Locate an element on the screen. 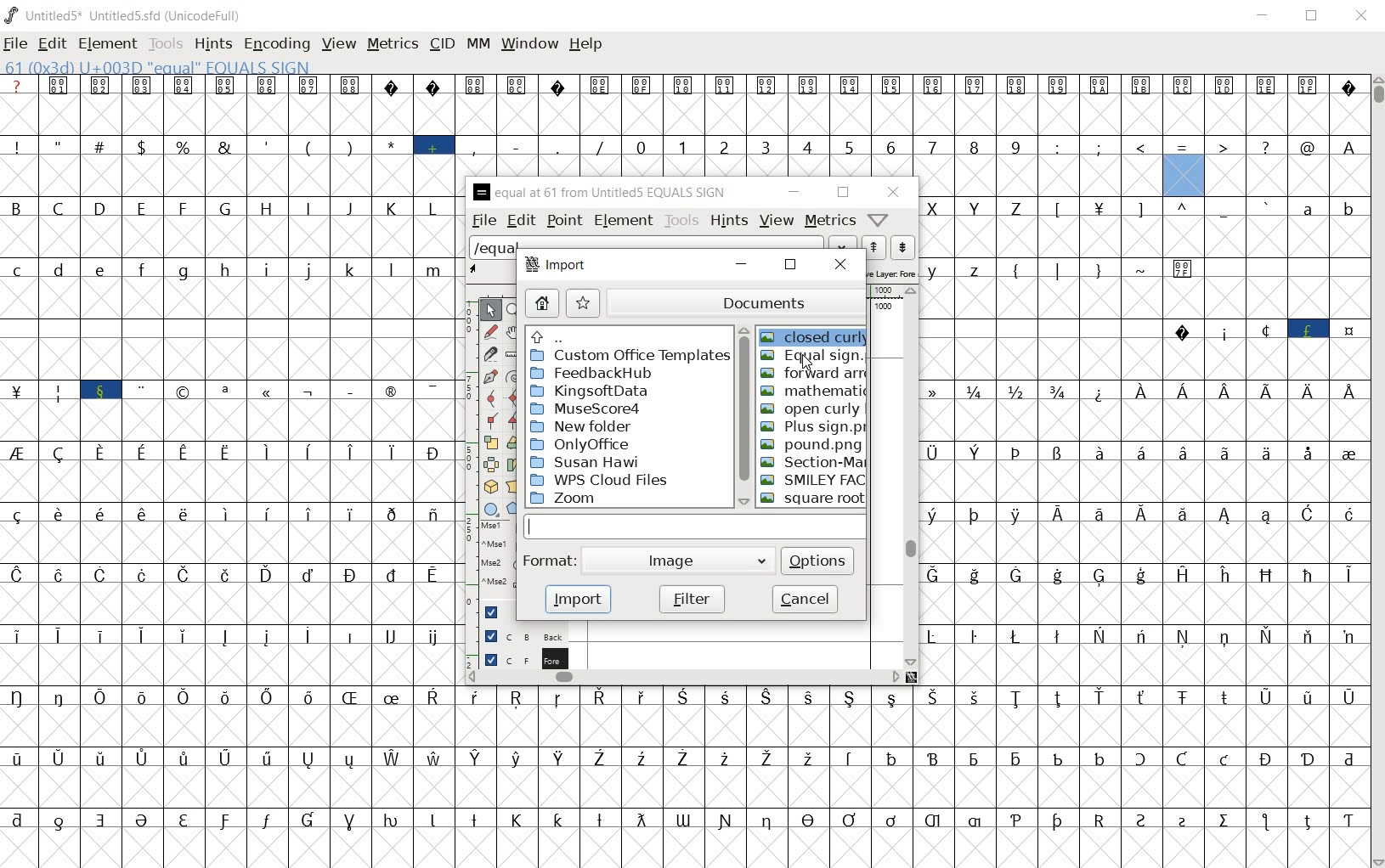 The height and width of the screenshot is (868, 1385). format is located at coordinates (548, 560).